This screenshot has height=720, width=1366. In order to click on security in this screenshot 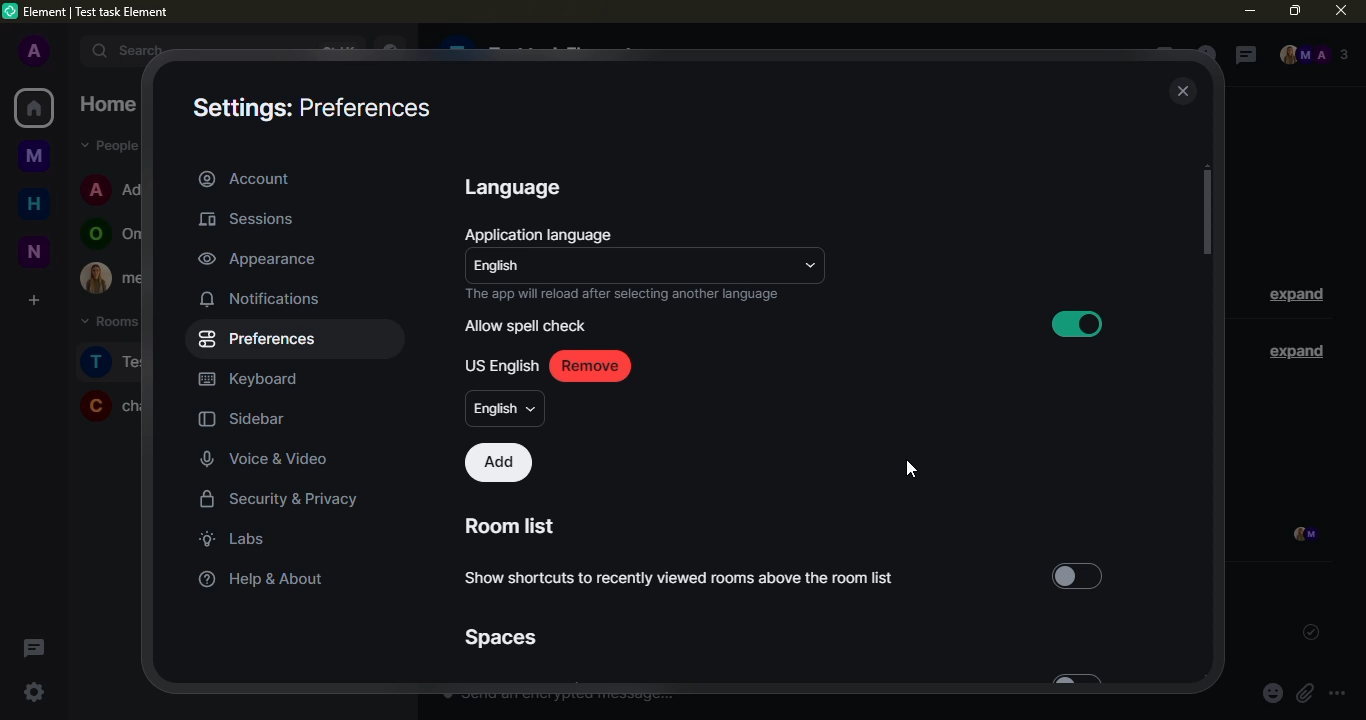, I will do `click(280, 501)`.